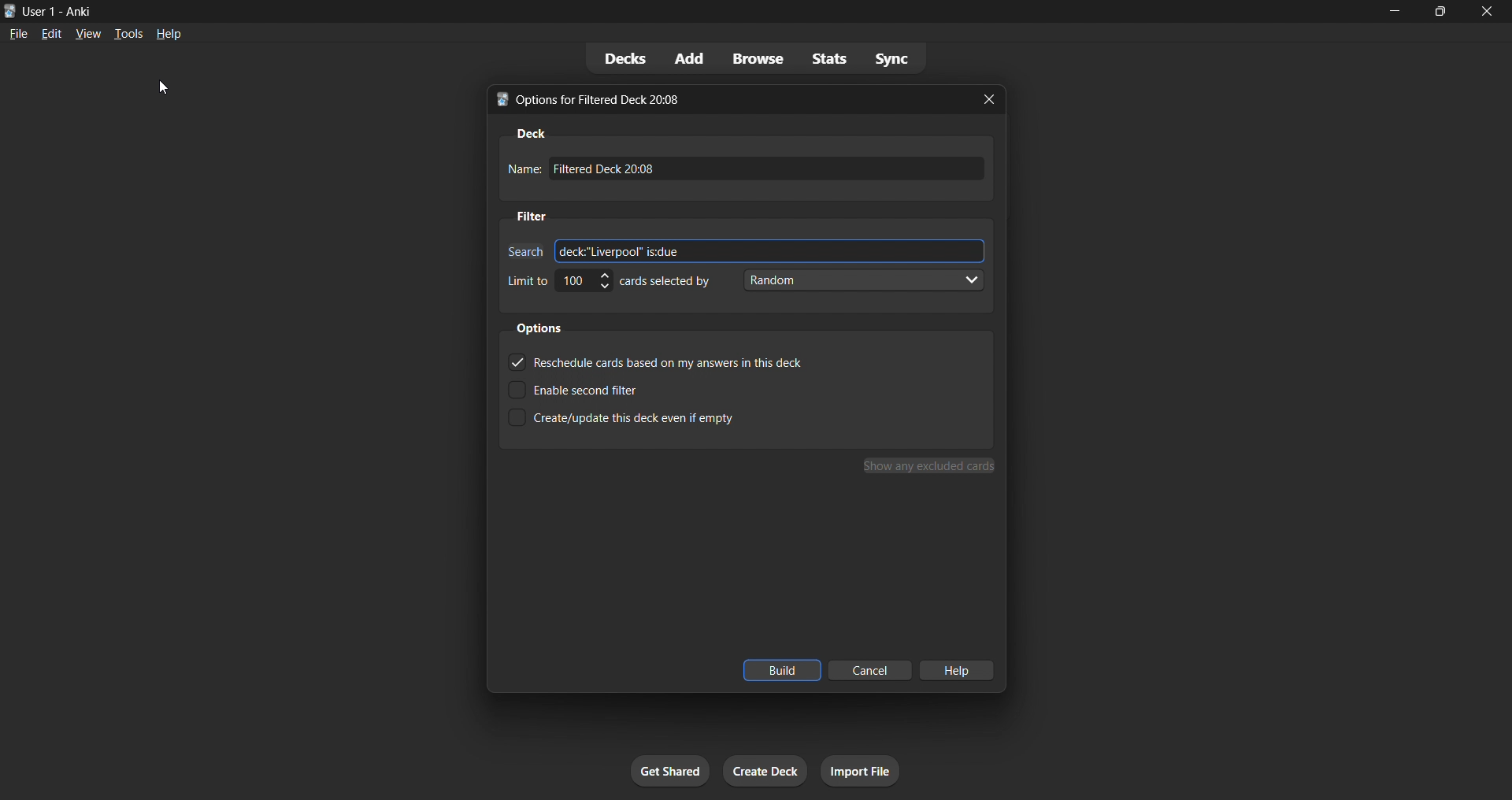 The height and width of the screenshot is (800, 1512). Describe the element at coordinates (48, 34) in the screenshot. I see `edit` at that location.